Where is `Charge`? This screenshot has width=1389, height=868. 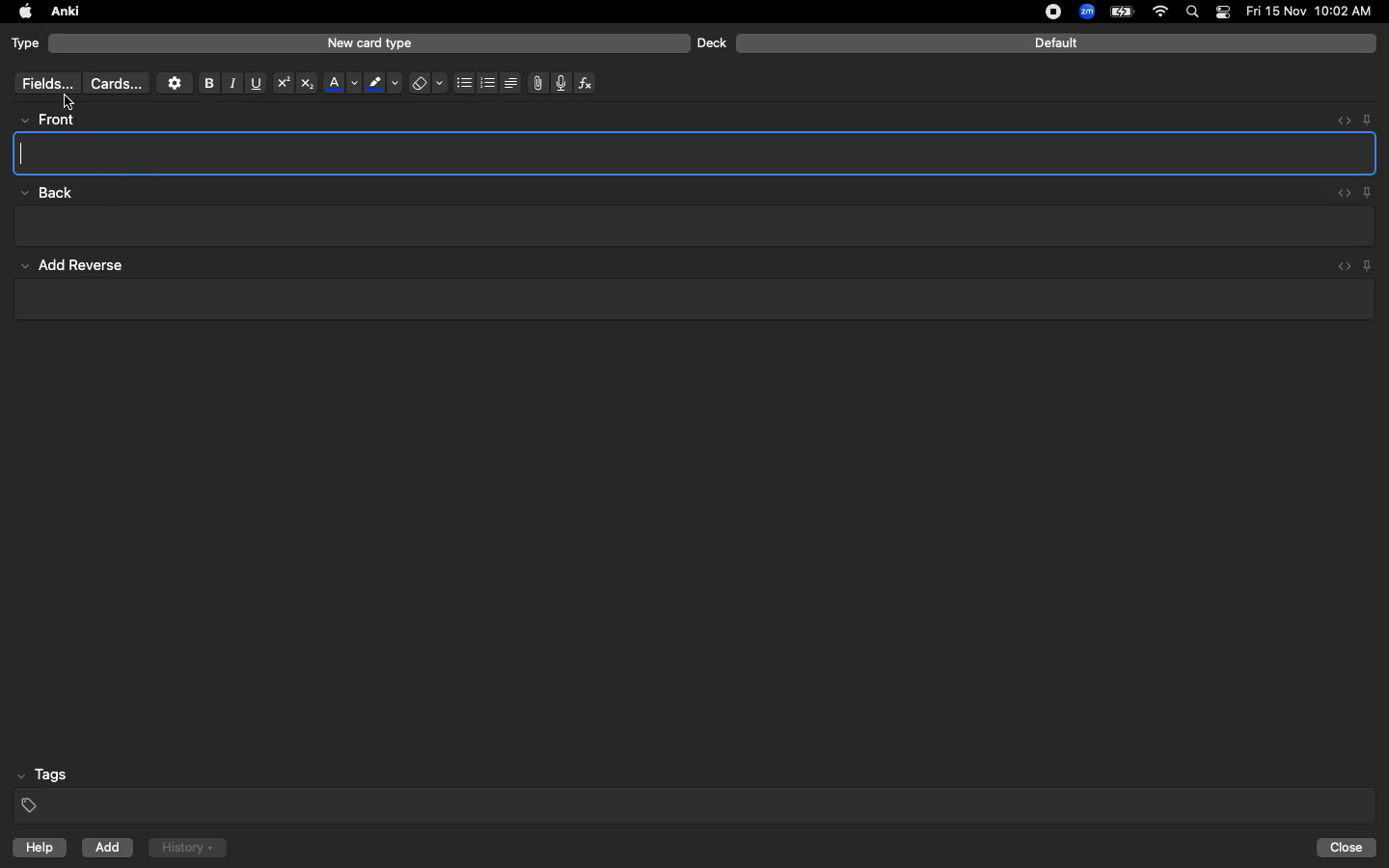
Charge is located at coordinates (1121, 12).